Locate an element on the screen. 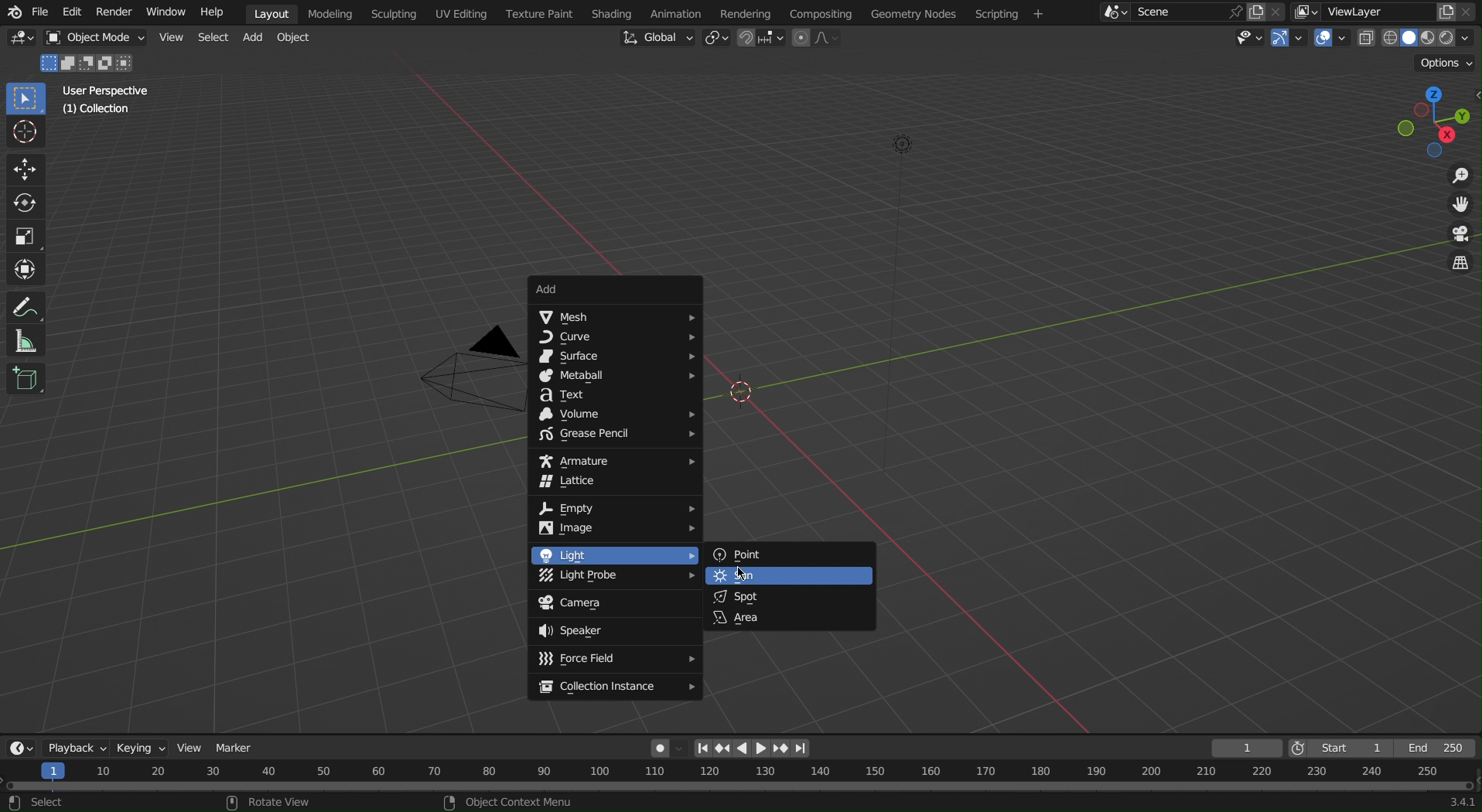 This screenshot has height=812, width=1482. Layout is located at coordinates (271, 13).